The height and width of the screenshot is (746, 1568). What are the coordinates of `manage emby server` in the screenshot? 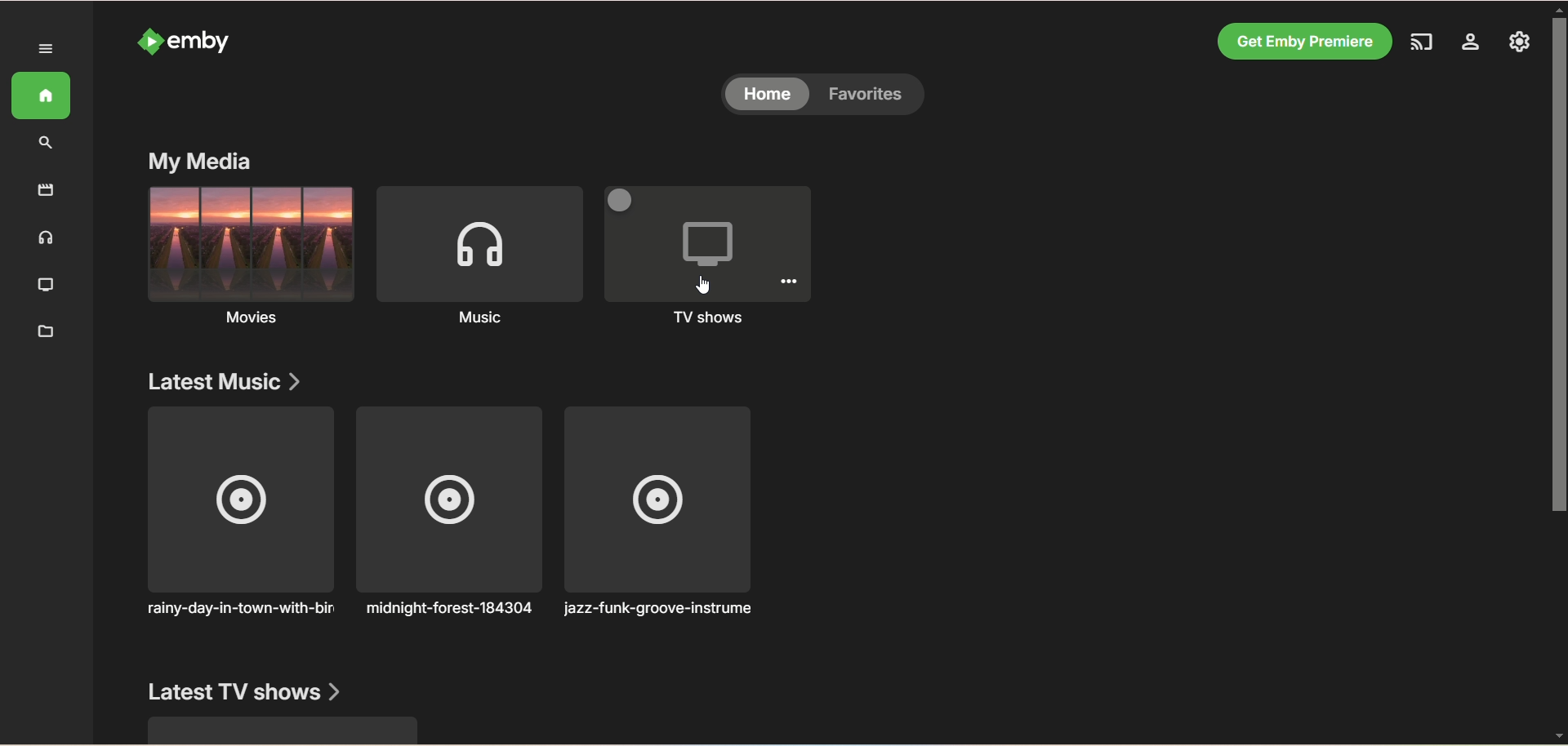 It's located at (1517, 43).